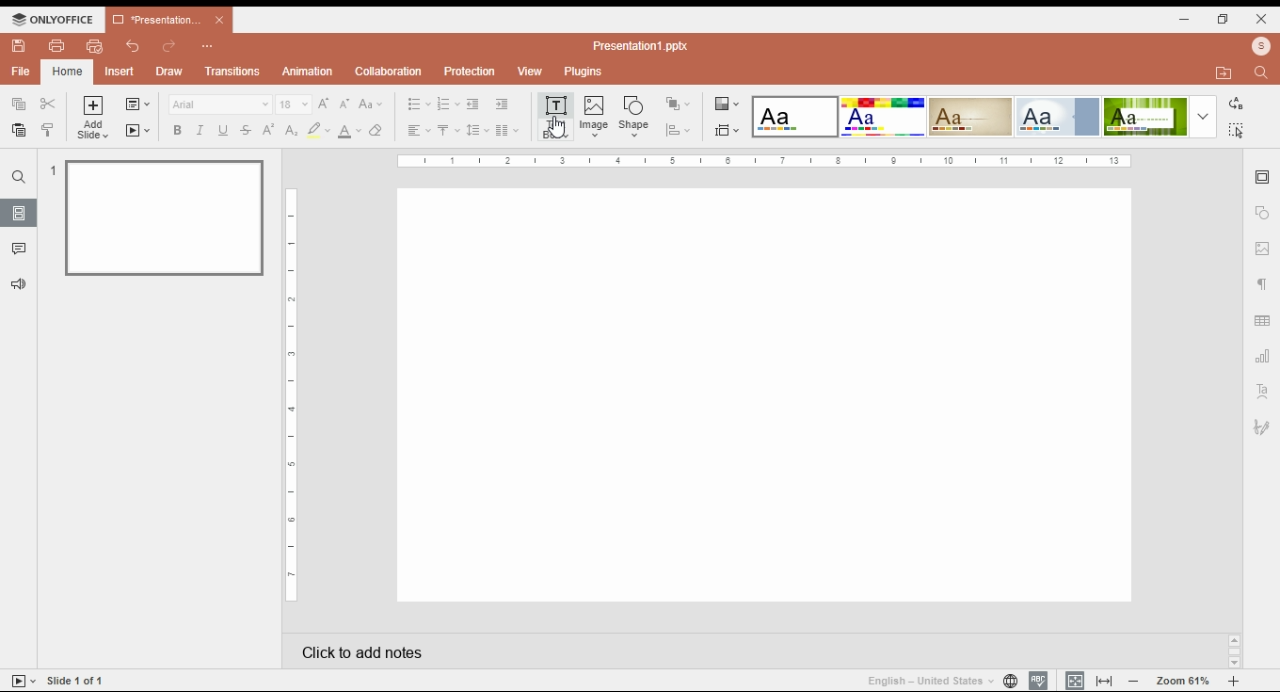  What do you see at coordinates (200, 130) in the screenshot?
I see `italics` at bounding box center [200, 130].